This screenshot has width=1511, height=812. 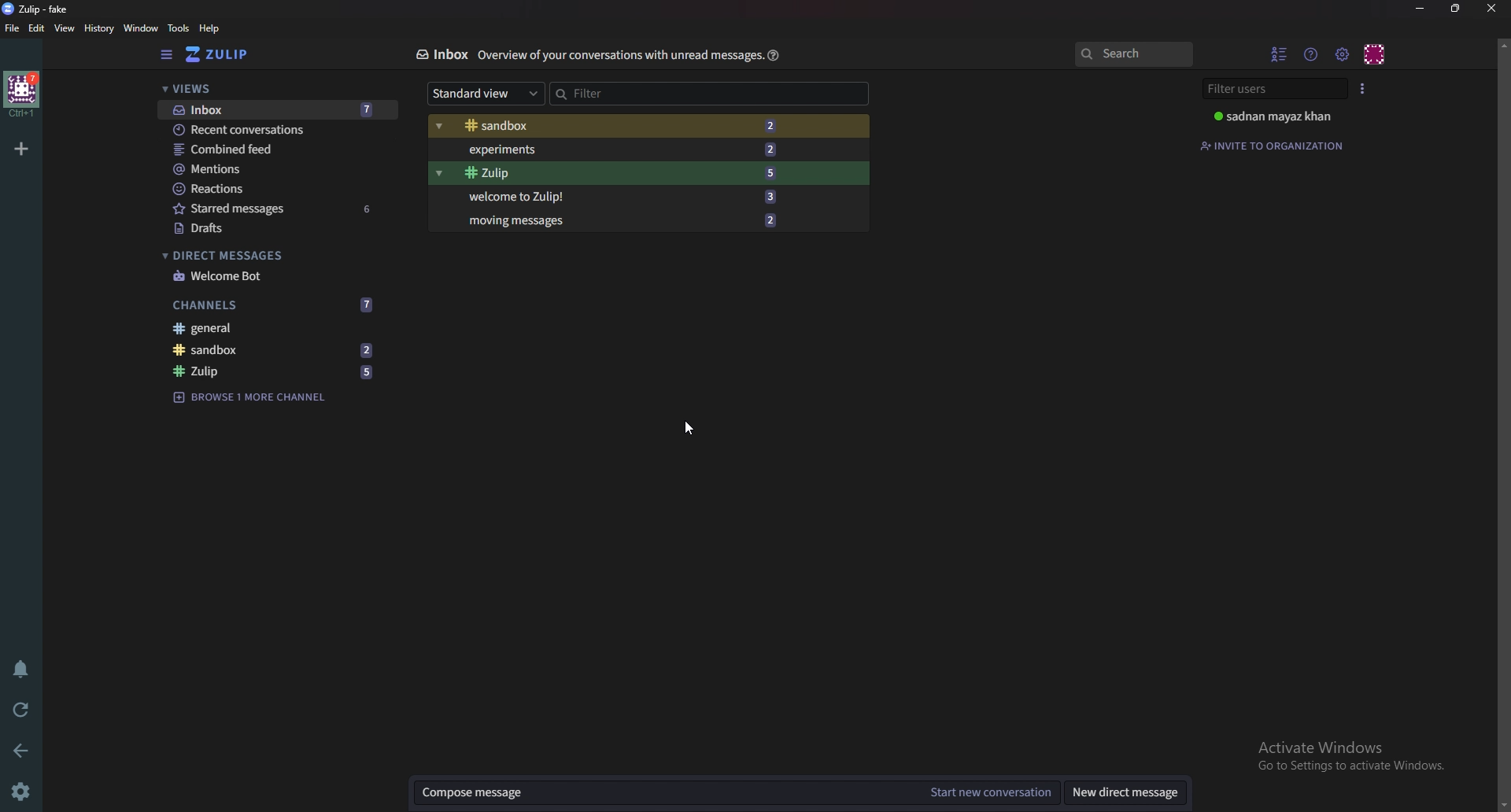 What do you see at coordinates (618, 149) in the screenshot?
I see `Experiments` at bounding box center [618, 149].